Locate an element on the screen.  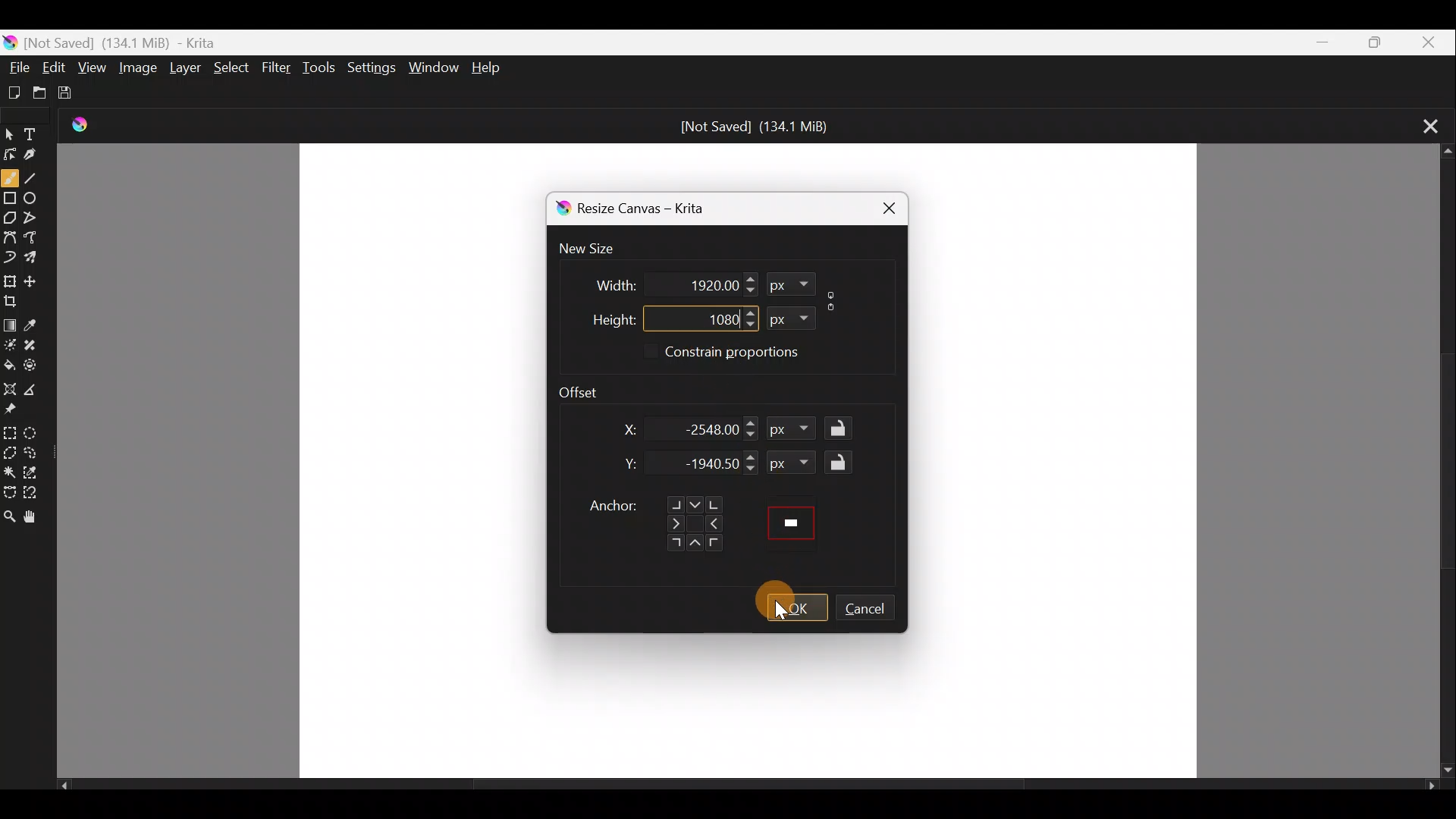
Crop the image to an area is located at coordinates (17, 301).